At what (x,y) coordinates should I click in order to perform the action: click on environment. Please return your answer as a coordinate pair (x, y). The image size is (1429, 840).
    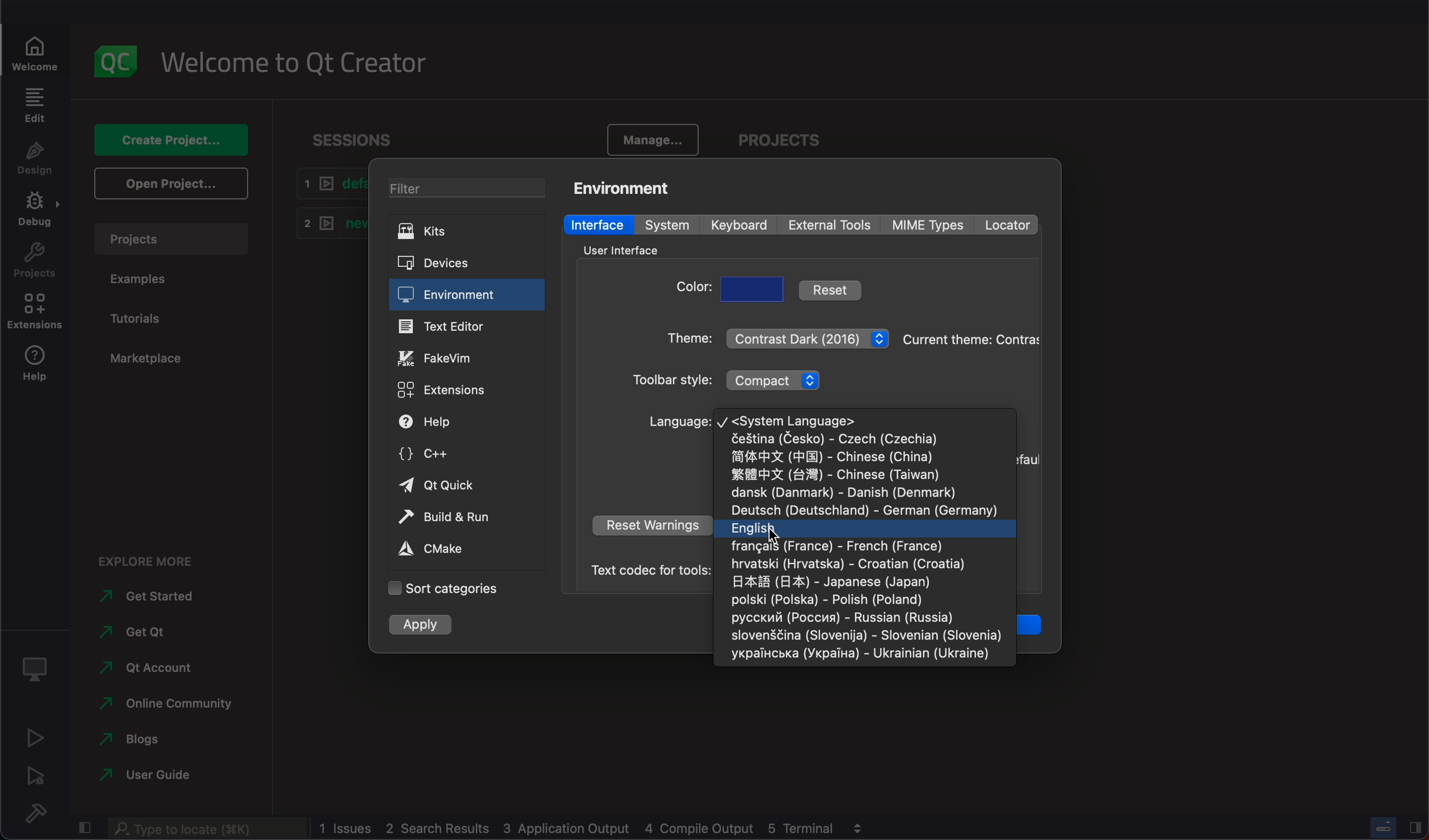
    Looking at the image, I should click on (623, 188).